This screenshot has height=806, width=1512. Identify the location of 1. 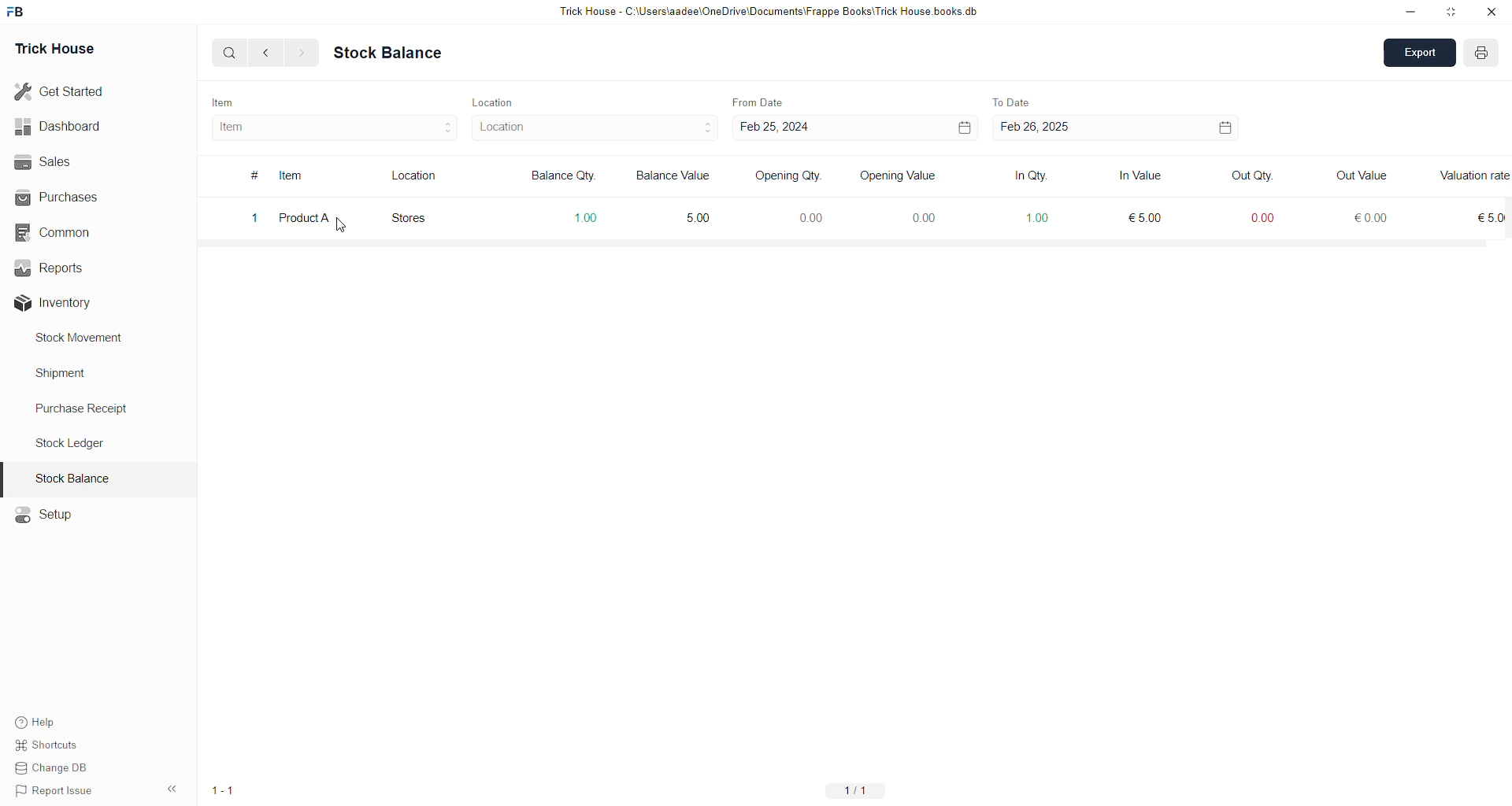
(246, 219).